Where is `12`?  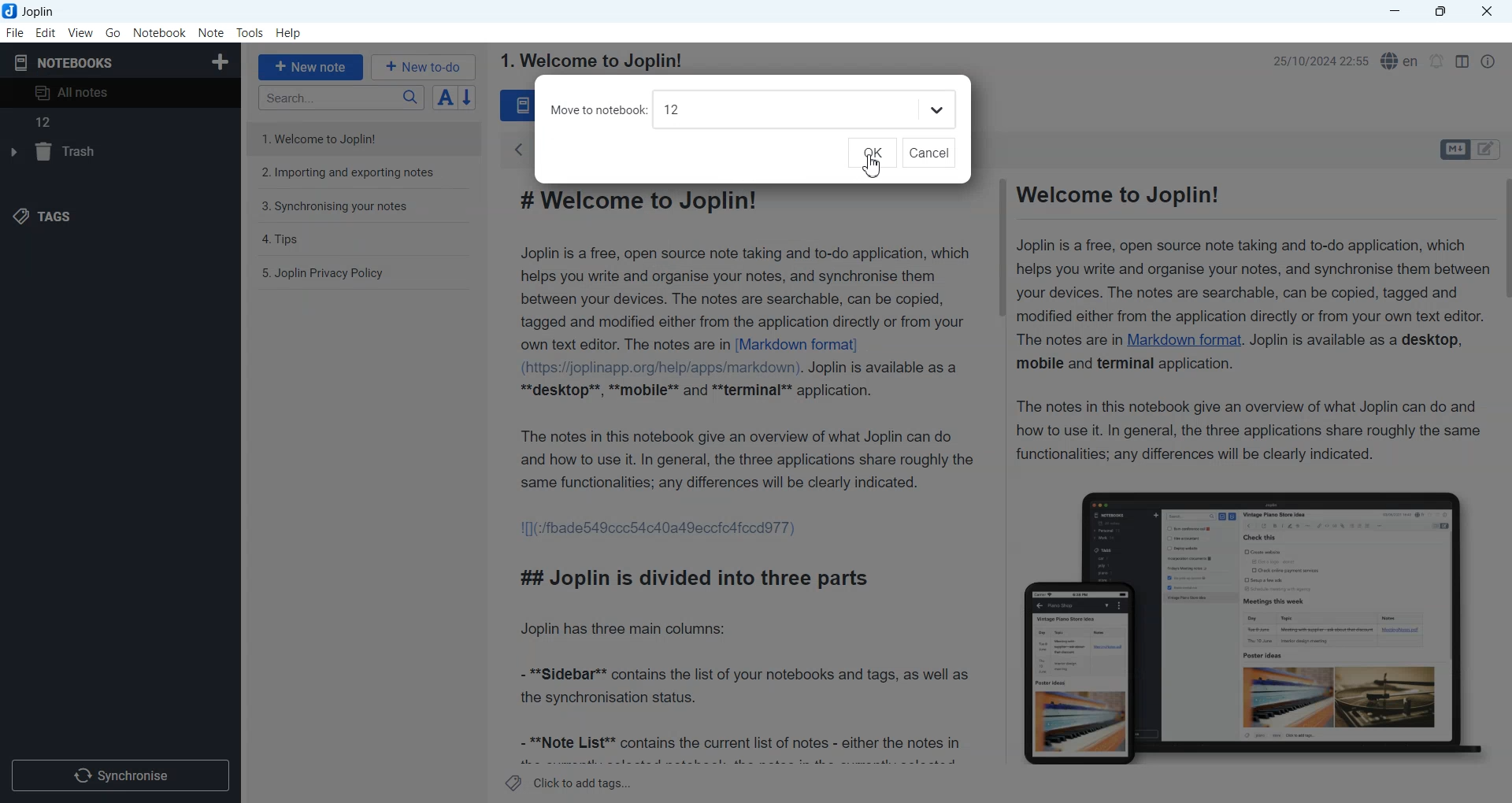
12 is located at coordinates (42, 124).